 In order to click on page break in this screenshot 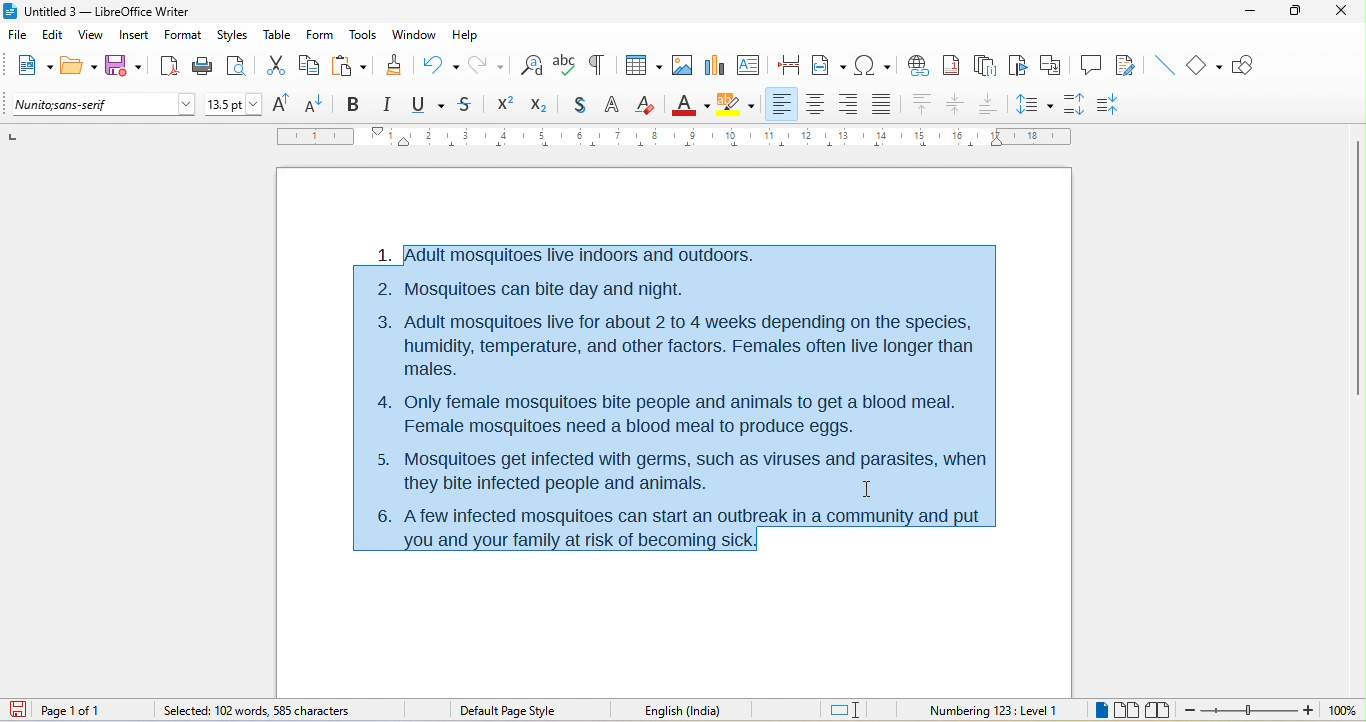, I will do `click(792, 67)`.